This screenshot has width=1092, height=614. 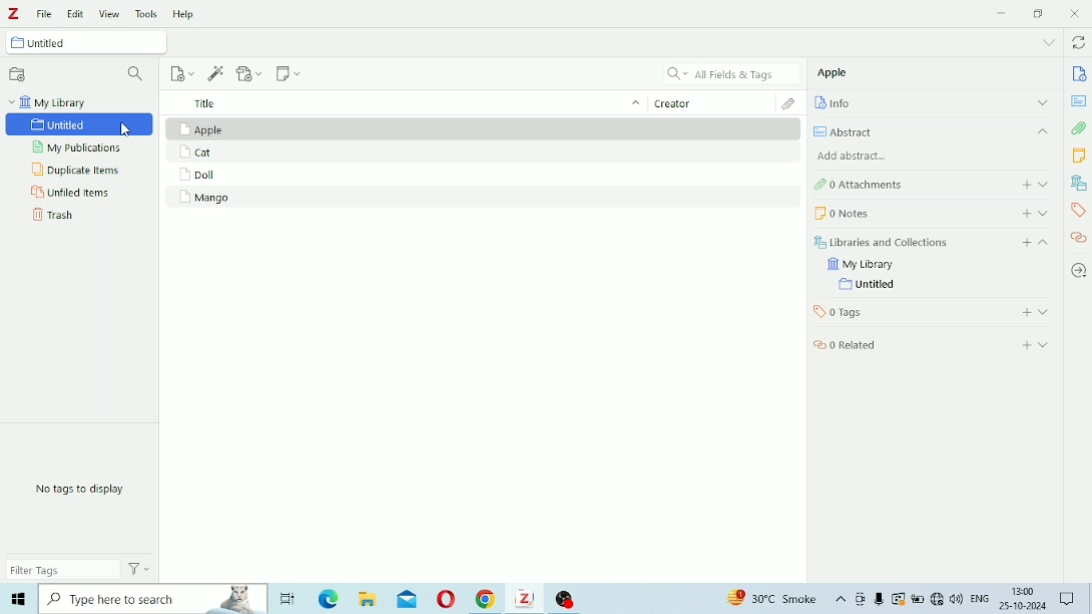 I want to click on cursor, so click(x=125, y=128).